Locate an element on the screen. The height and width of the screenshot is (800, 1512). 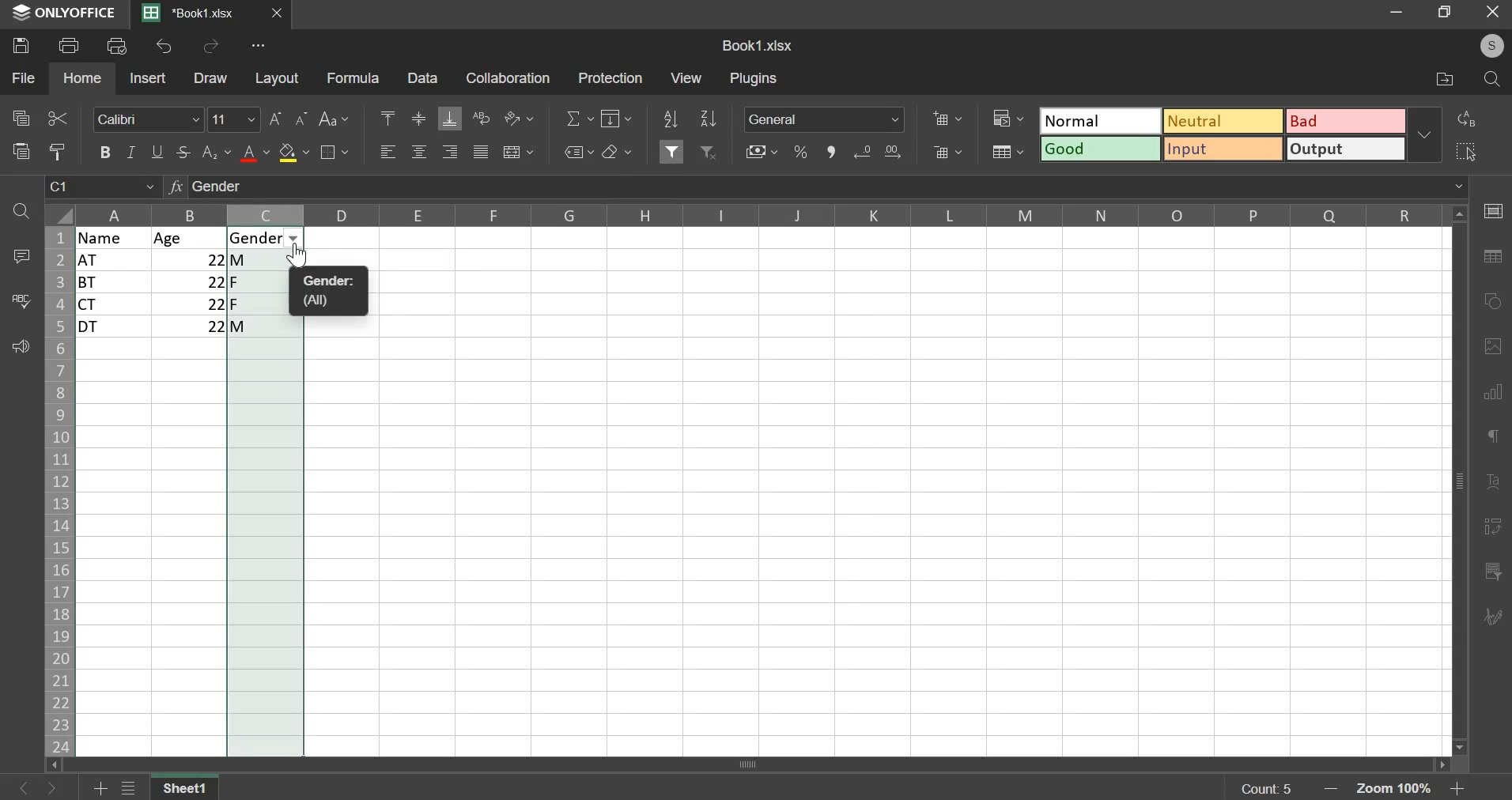
accounting style is located at coordinates (763, 152).